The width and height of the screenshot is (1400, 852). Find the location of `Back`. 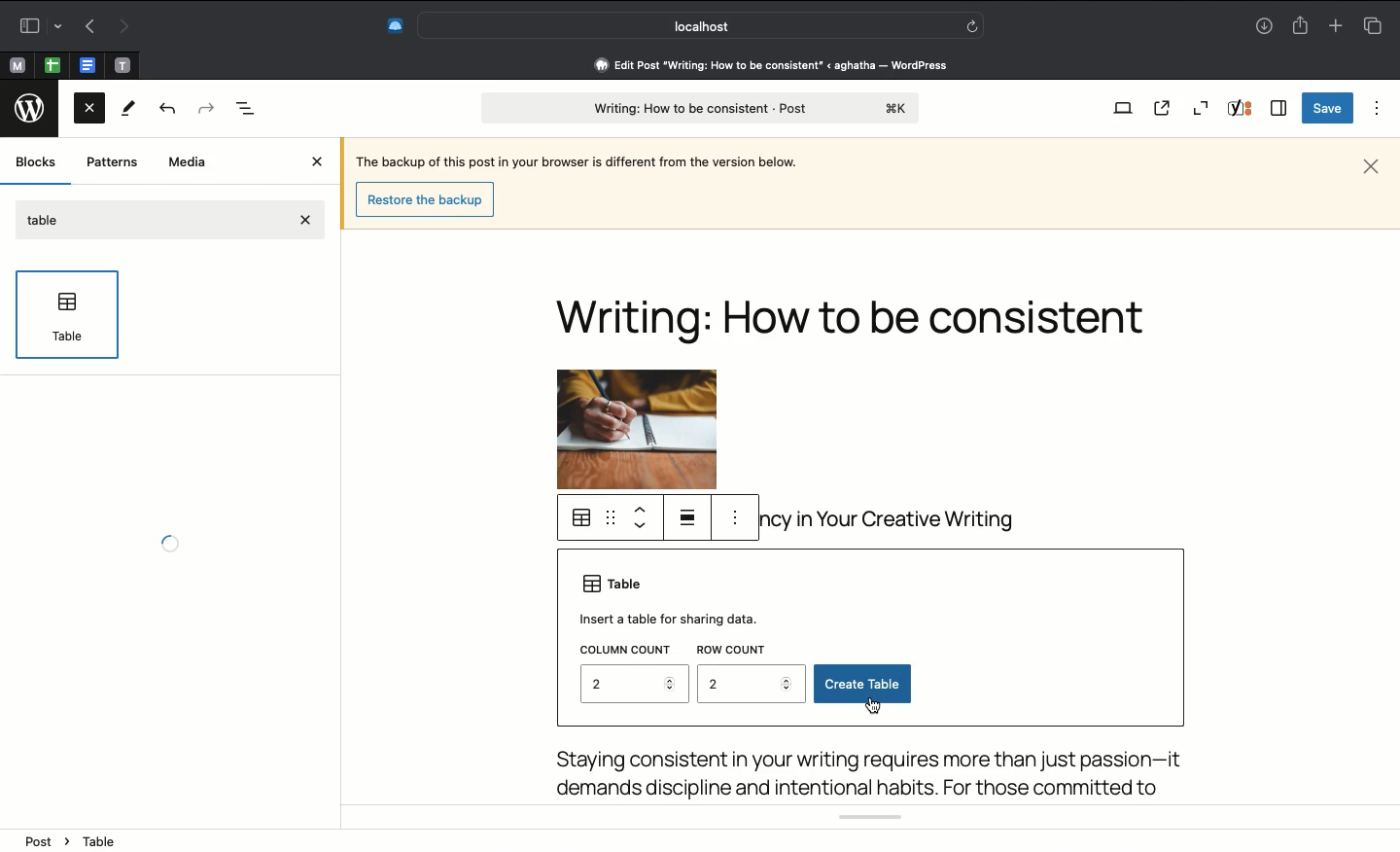

Back is located at coordinates (165, 110).